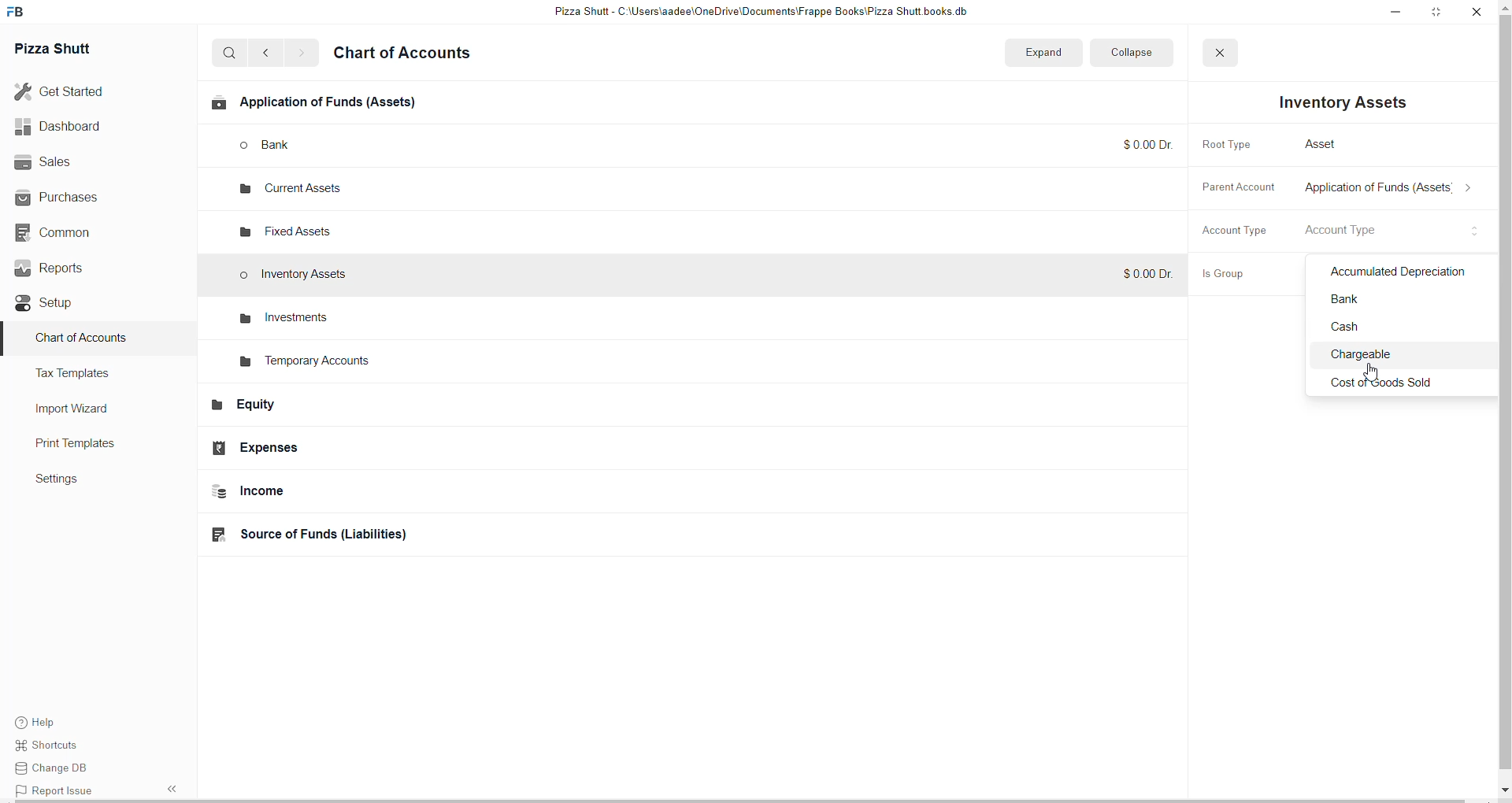 This screenshot has height=803, width=1512. I want to click on current assets, so click(285, 191).